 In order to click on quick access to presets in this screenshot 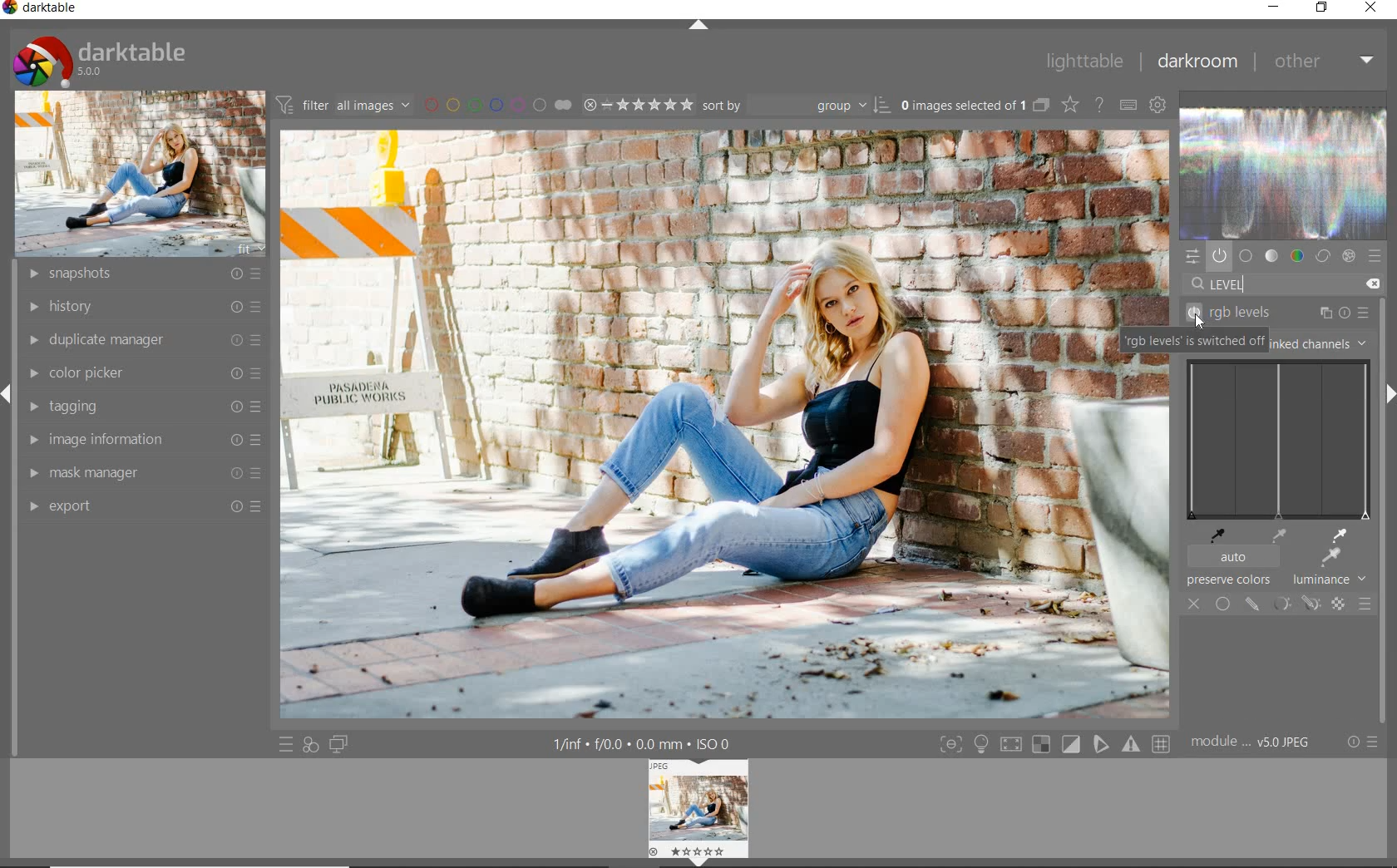, I will do `click(287, 745)`.